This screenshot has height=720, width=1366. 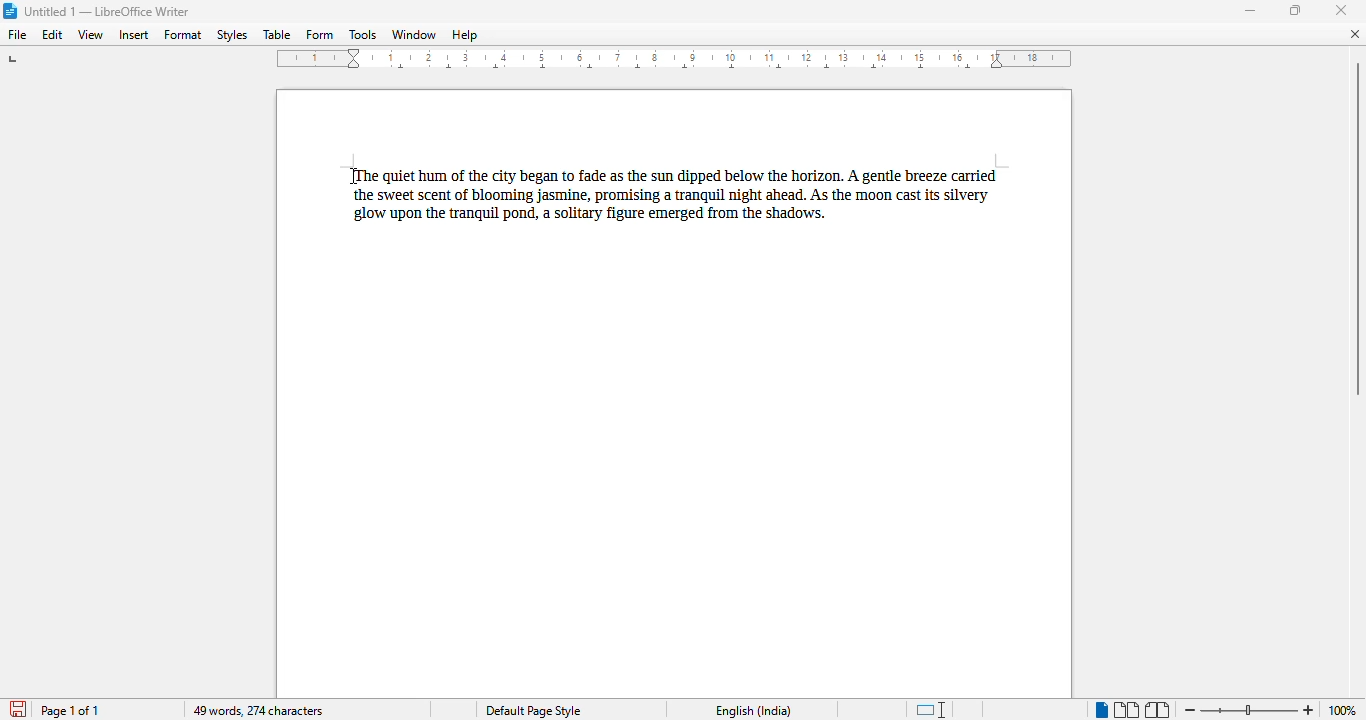 I want to click on click to save document, so click(x=18, y=709).